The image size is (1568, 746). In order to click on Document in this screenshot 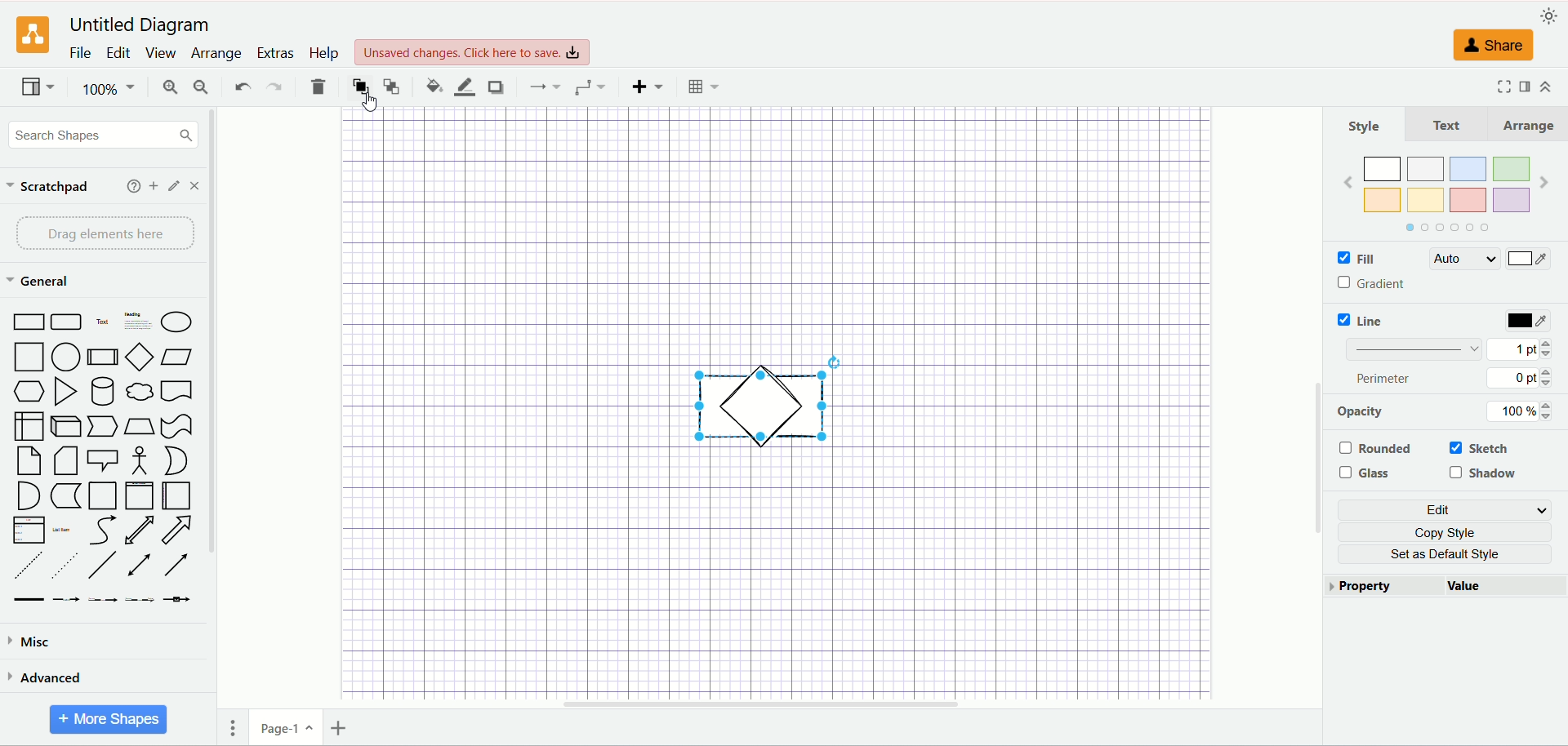, I will do `click(180, 393)`.